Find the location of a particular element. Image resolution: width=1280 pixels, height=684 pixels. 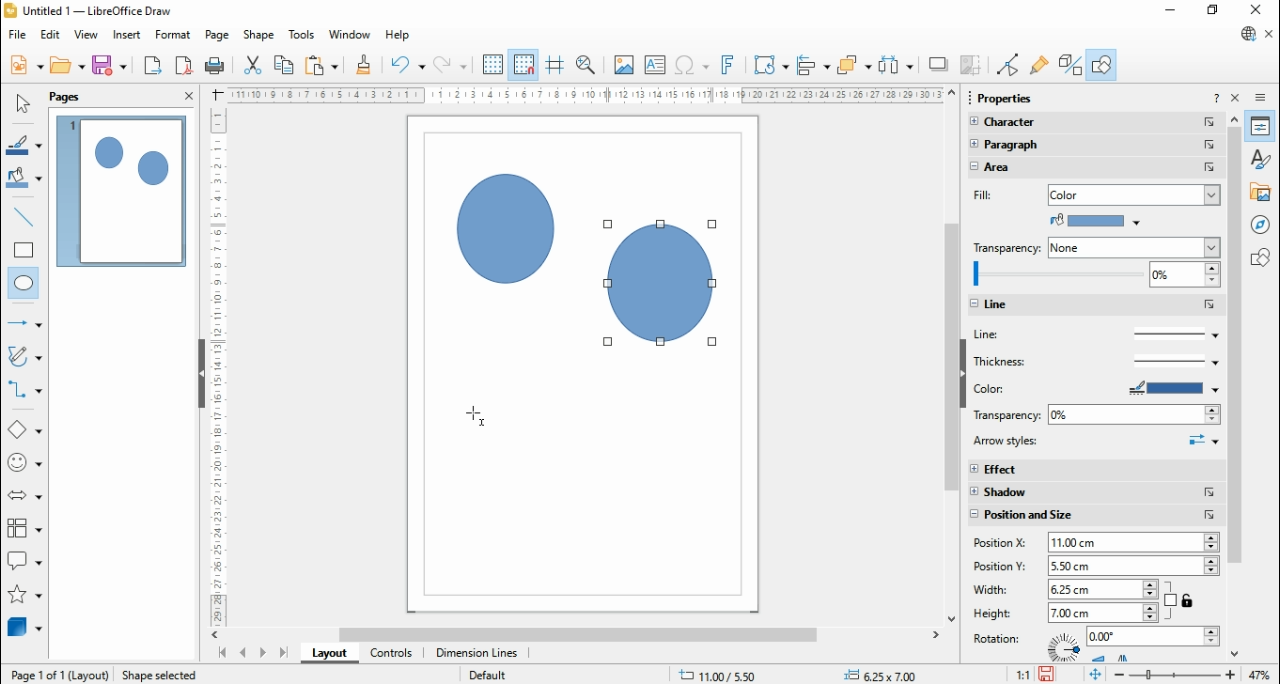

page is located at coordinates (218, 35).